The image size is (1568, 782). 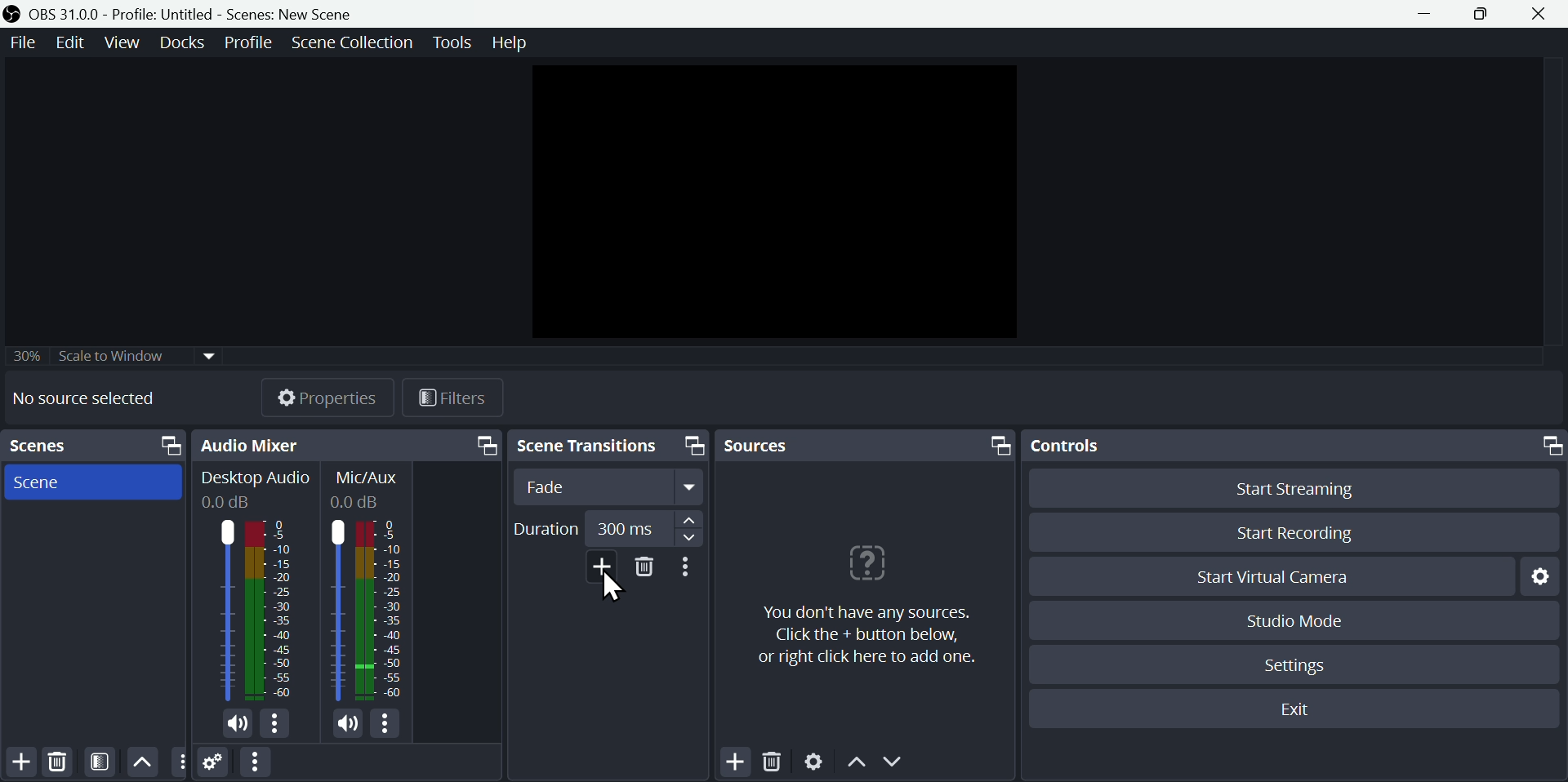 I want to click on Controls, so click(x=1293, y=446).